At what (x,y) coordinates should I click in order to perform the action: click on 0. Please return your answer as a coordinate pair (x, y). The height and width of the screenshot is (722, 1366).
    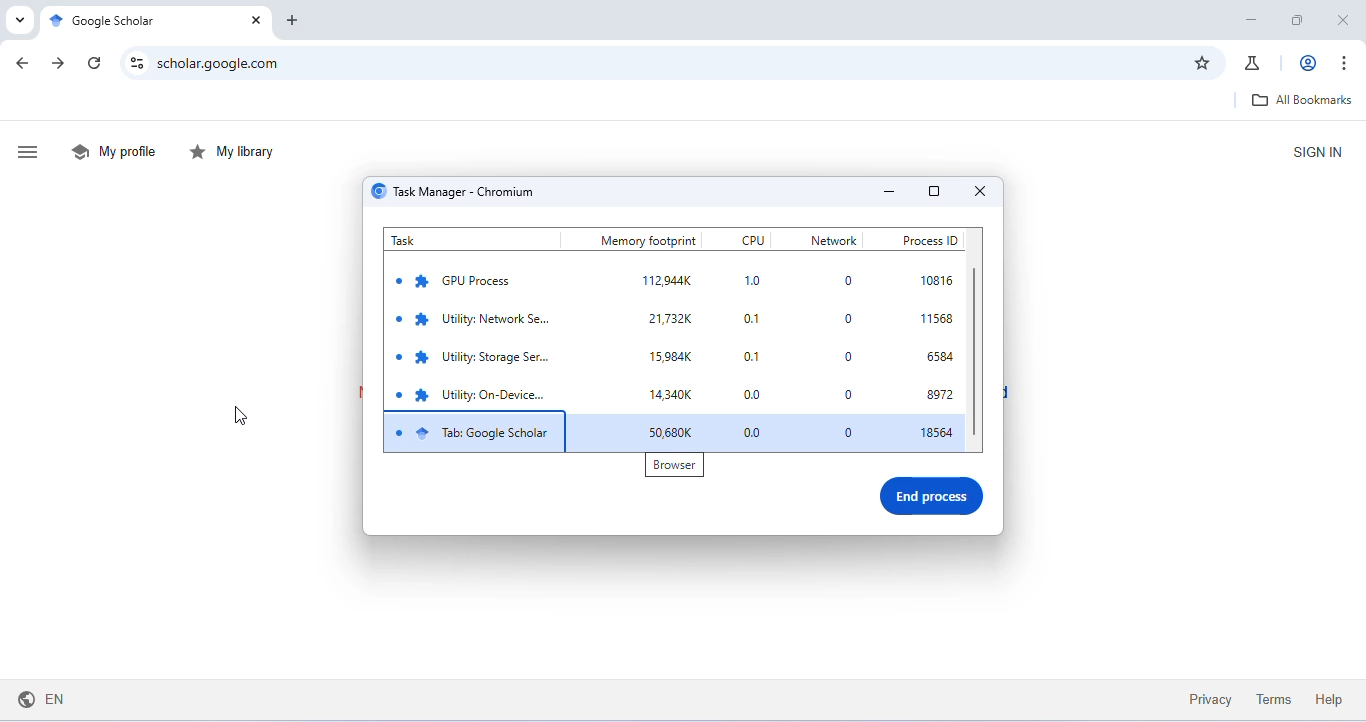
    Looking at the image, I should click on (844, 357).